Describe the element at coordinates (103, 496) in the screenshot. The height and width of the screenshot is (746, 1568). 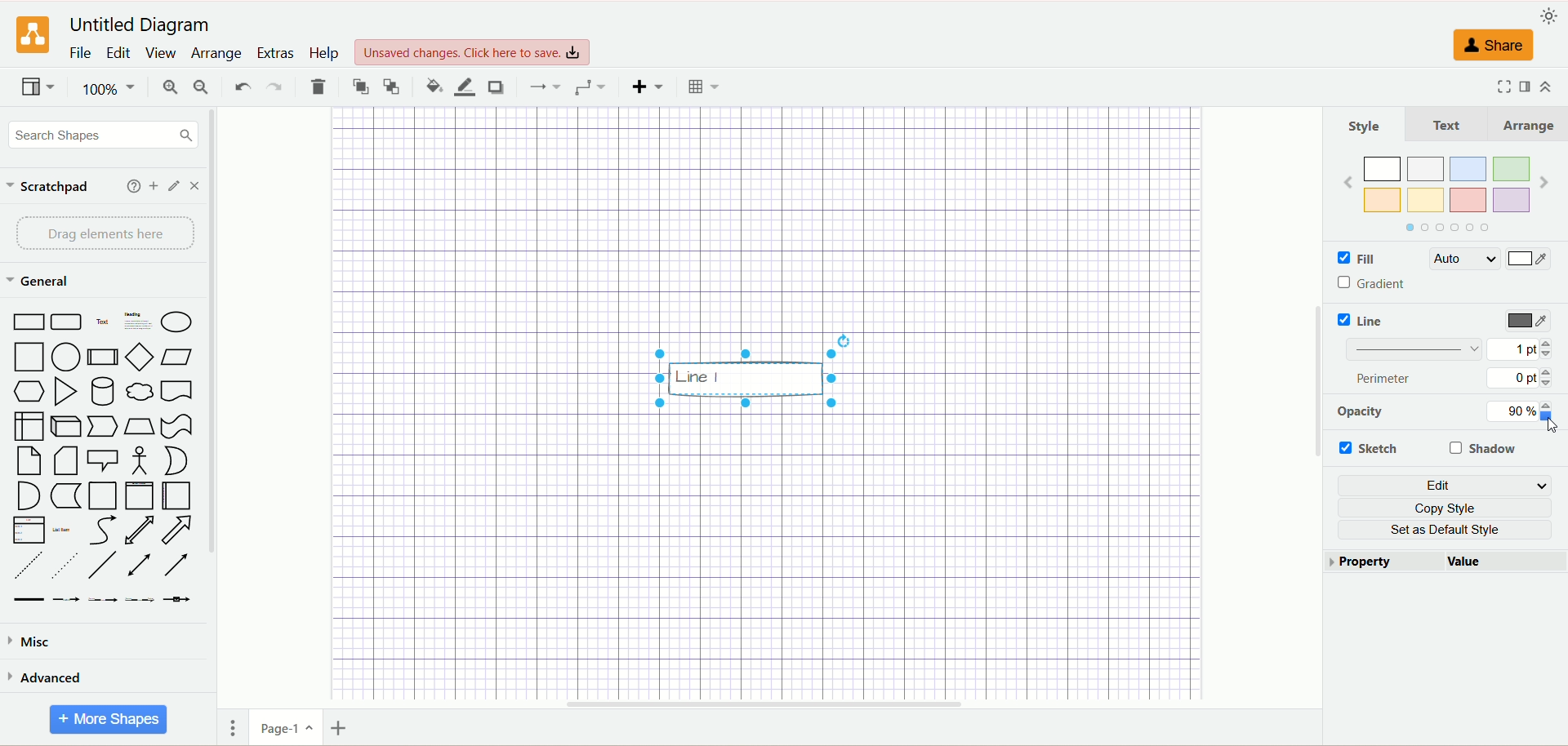
I see `Container` at that location.